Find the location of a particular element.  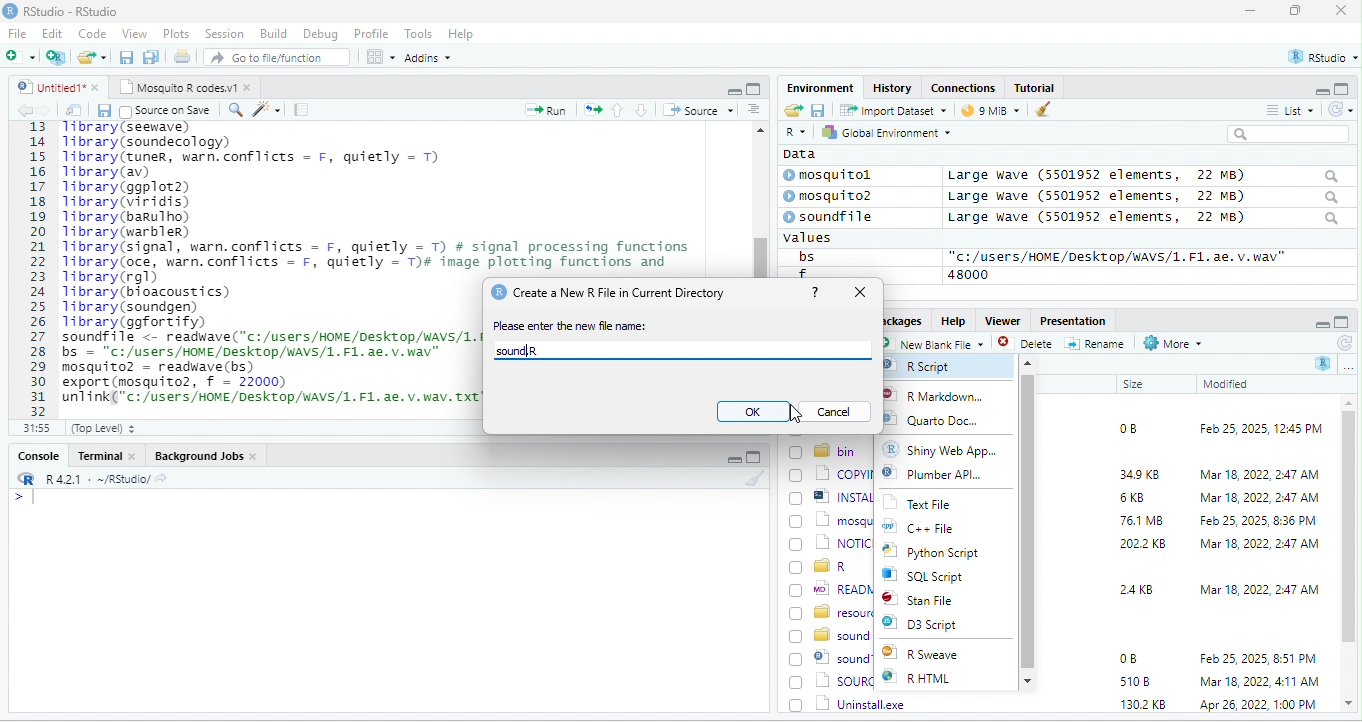

Apr 26, 2022, 1:00 PM is located at coordinates (1260, 706).